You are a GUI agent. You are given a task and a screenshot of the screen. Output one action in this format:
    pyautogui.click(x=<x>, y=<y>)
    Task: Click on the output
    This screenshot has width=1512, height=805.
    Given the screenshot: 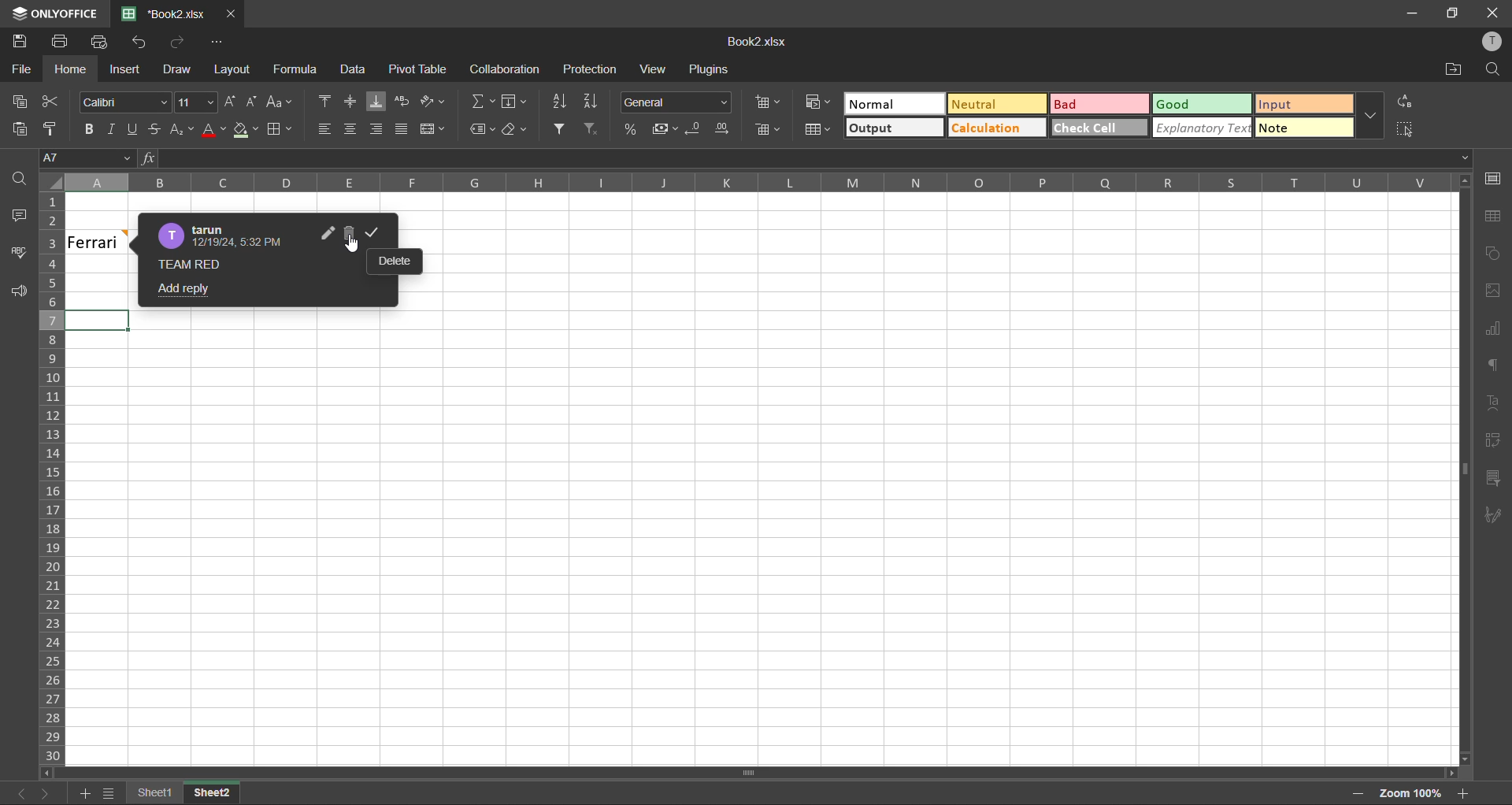 What is the action you would take?
    pyautogui.click(x=895, y=129)
    